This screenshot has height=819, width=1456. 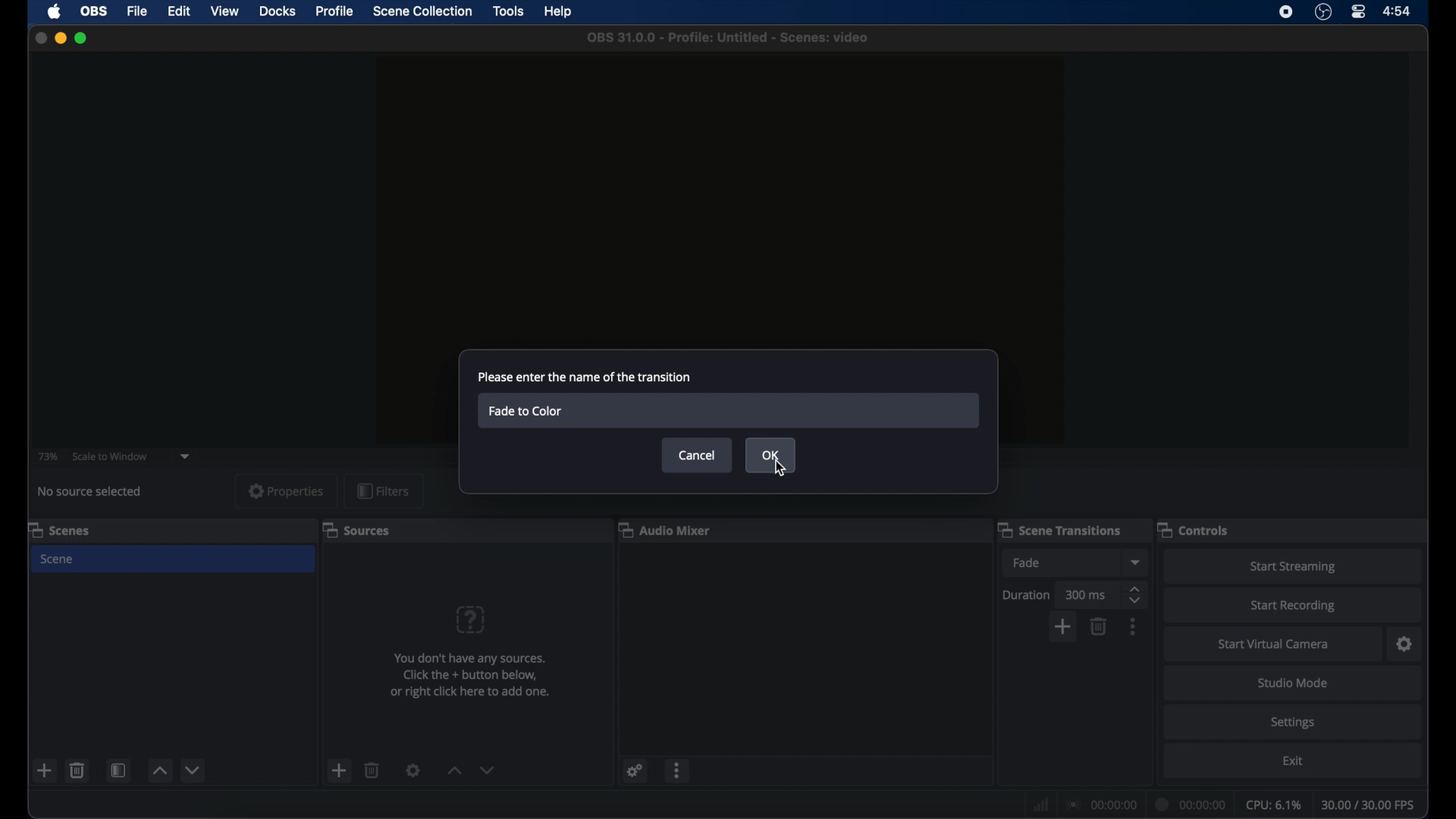 What do you see at coordinates (1137, 562) in the screenshot?
I see `dropdown` at bounding box center [1137, 562].